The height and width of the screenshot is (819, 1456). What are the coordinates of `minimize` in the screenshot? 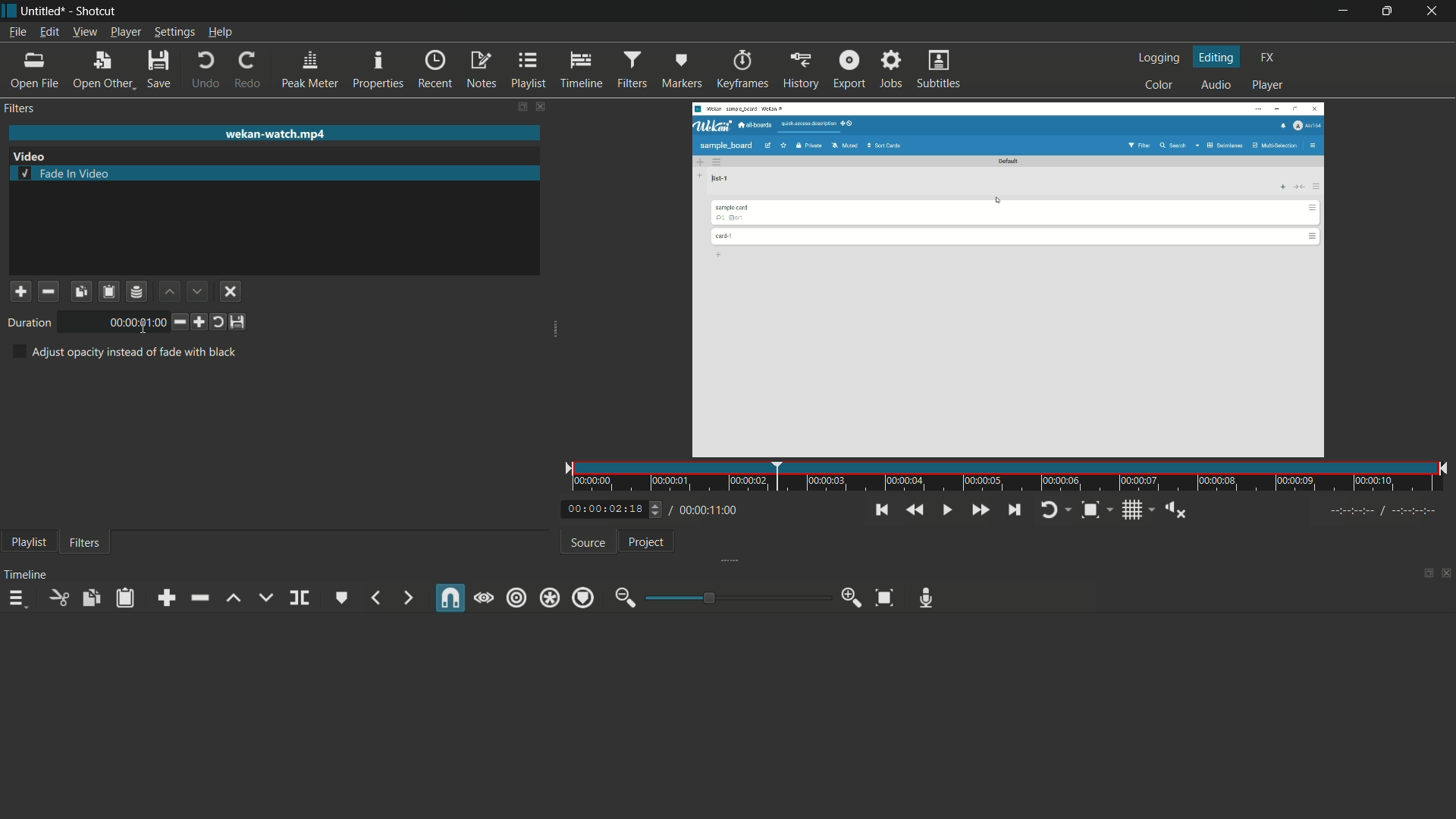 It's located at (1346, 11).